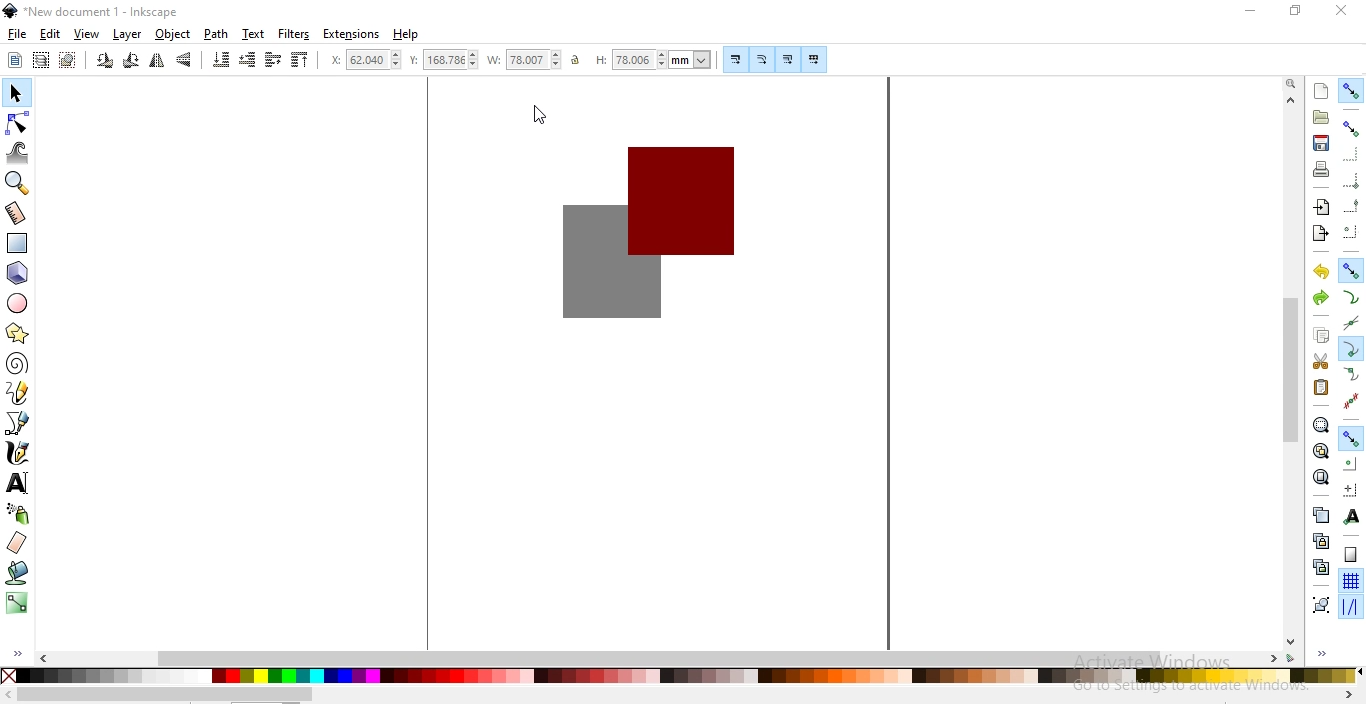 Image resolution: width=1366 pixels, height=704 pixels. Describe the element at coordinates (1291, 84) in the screenshot. I see `zoom` at that location.